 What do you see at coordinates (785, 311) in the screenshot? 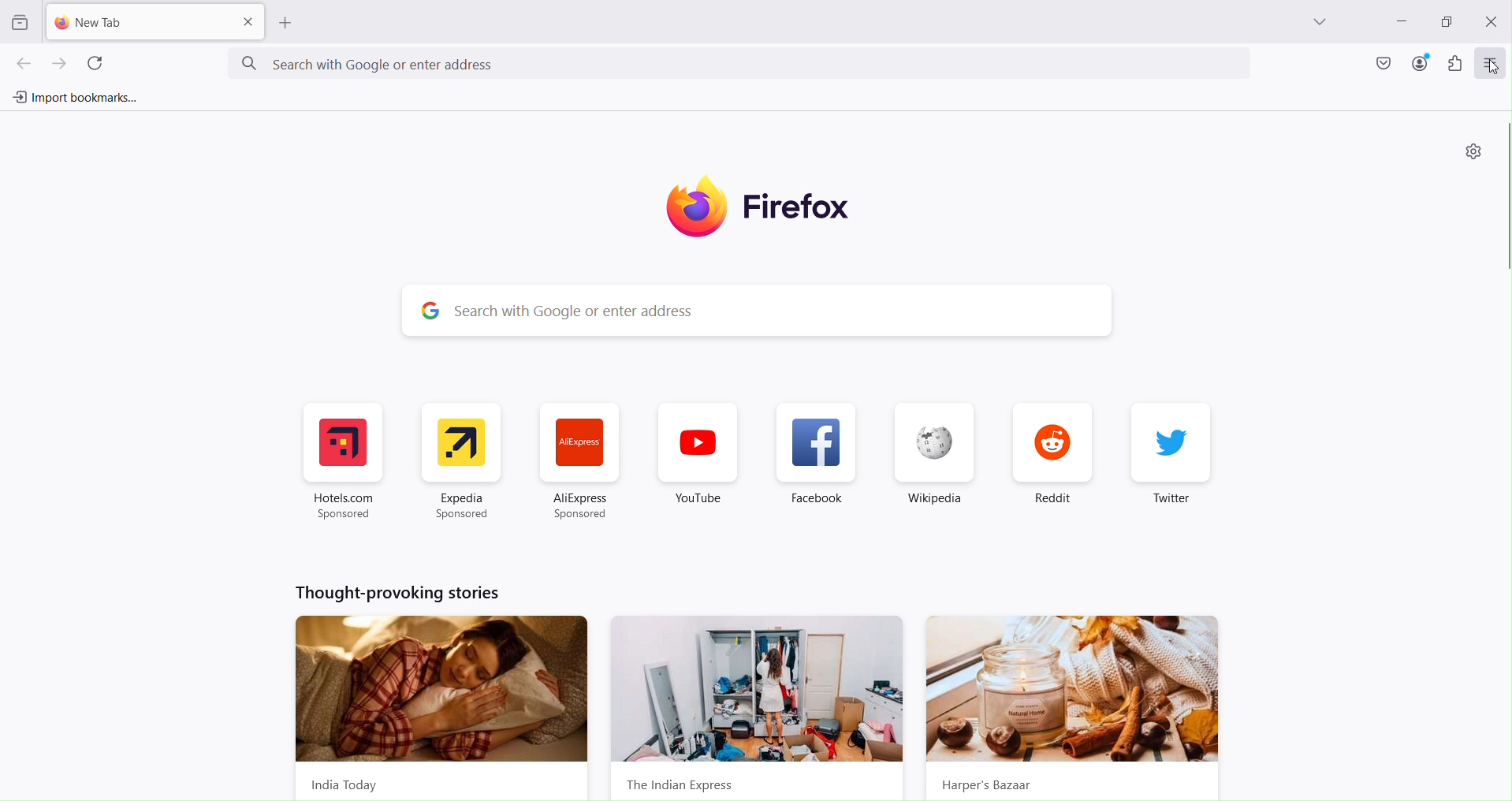
I see `Search with google or enter address` at bounding box center [785, 311].